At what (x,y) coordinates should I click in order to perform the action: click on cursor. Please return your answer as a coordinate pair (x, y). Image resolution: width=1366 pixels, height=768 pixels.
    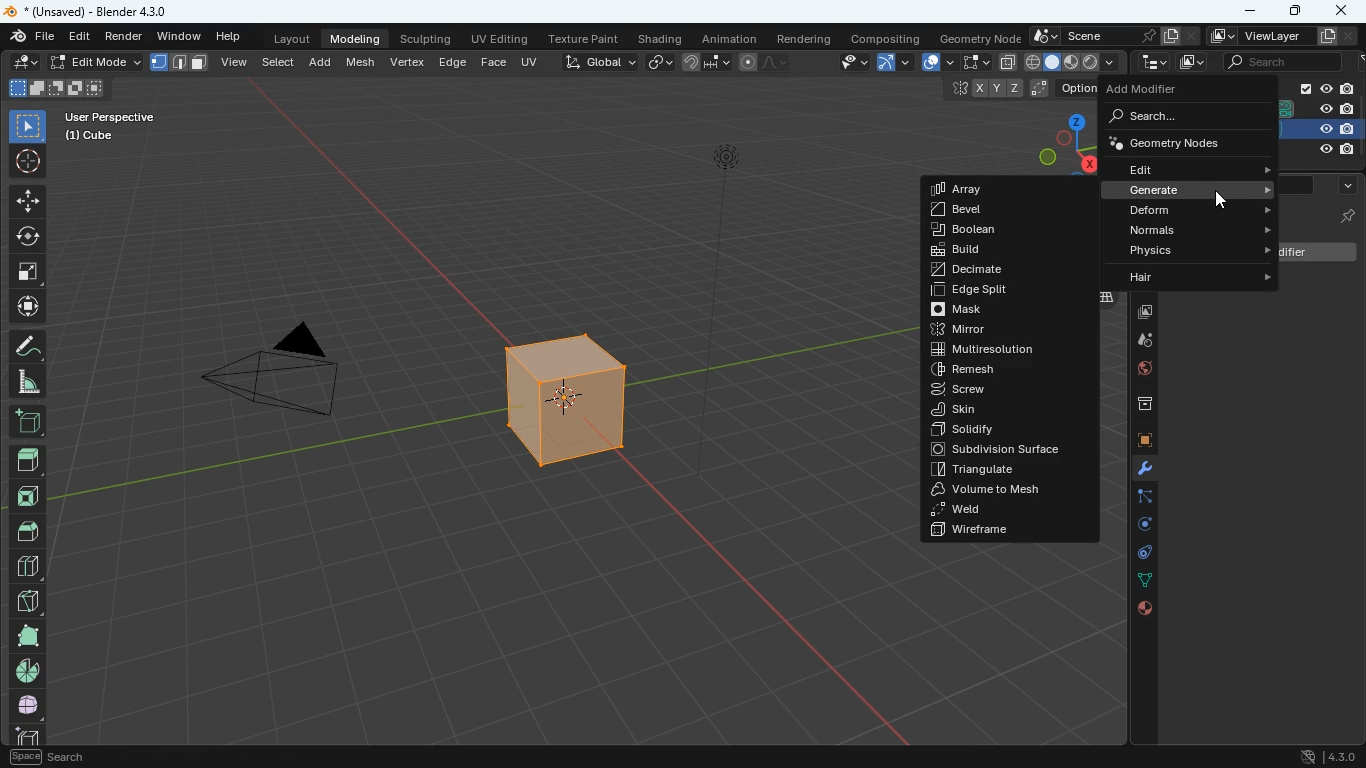
    Looking at the image, I should click on (1222, 200).